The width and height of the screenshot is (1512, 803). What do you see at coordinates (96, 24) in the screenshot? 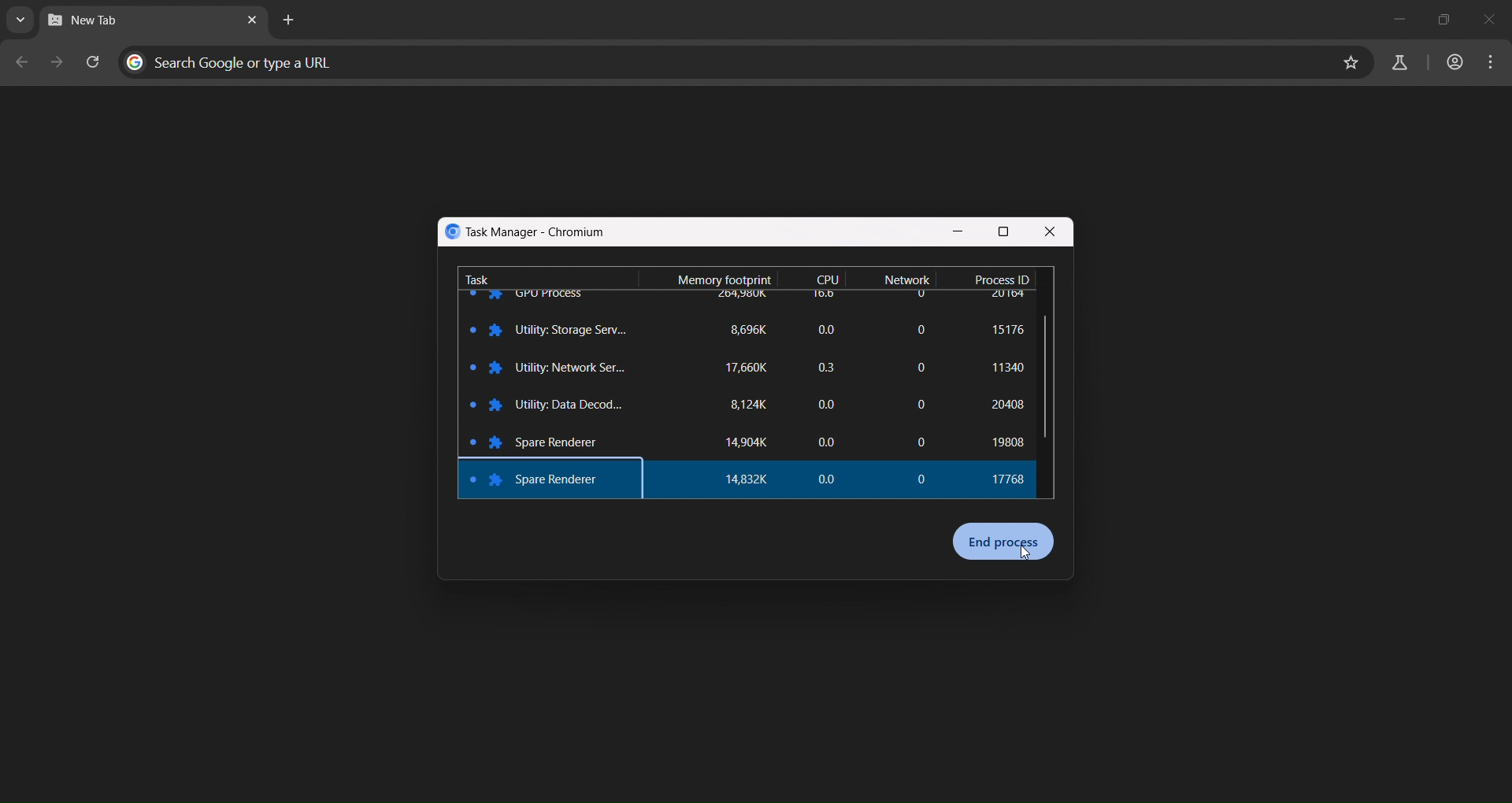
I see `current tab` at bounding box center [96, 24].